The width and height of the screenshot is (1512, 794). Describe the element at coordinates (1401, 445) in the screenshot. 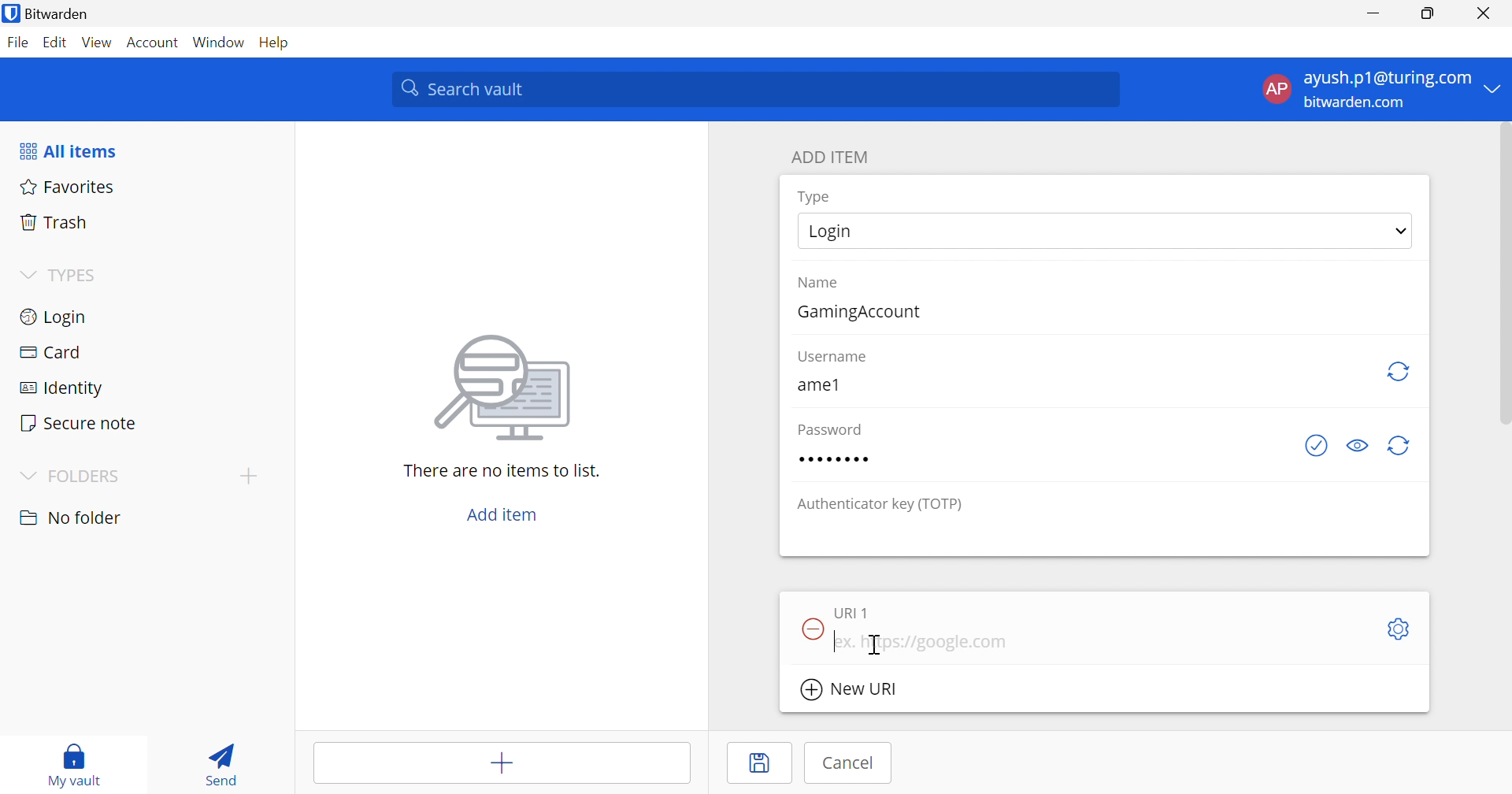

I see `Generate password` at that location.